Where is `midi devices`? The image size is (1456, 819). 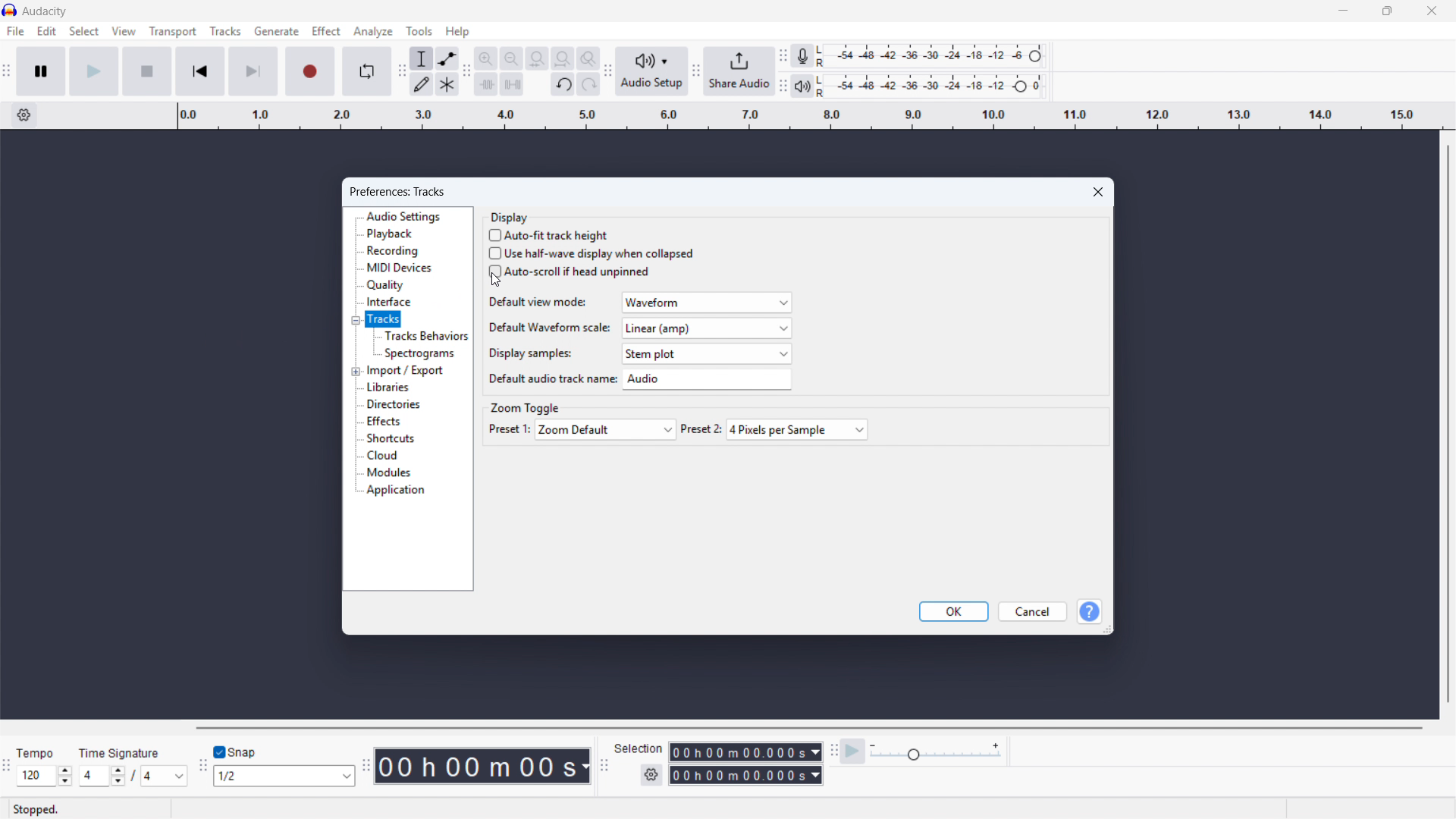
midi devices is located at coordinates (398, 268).